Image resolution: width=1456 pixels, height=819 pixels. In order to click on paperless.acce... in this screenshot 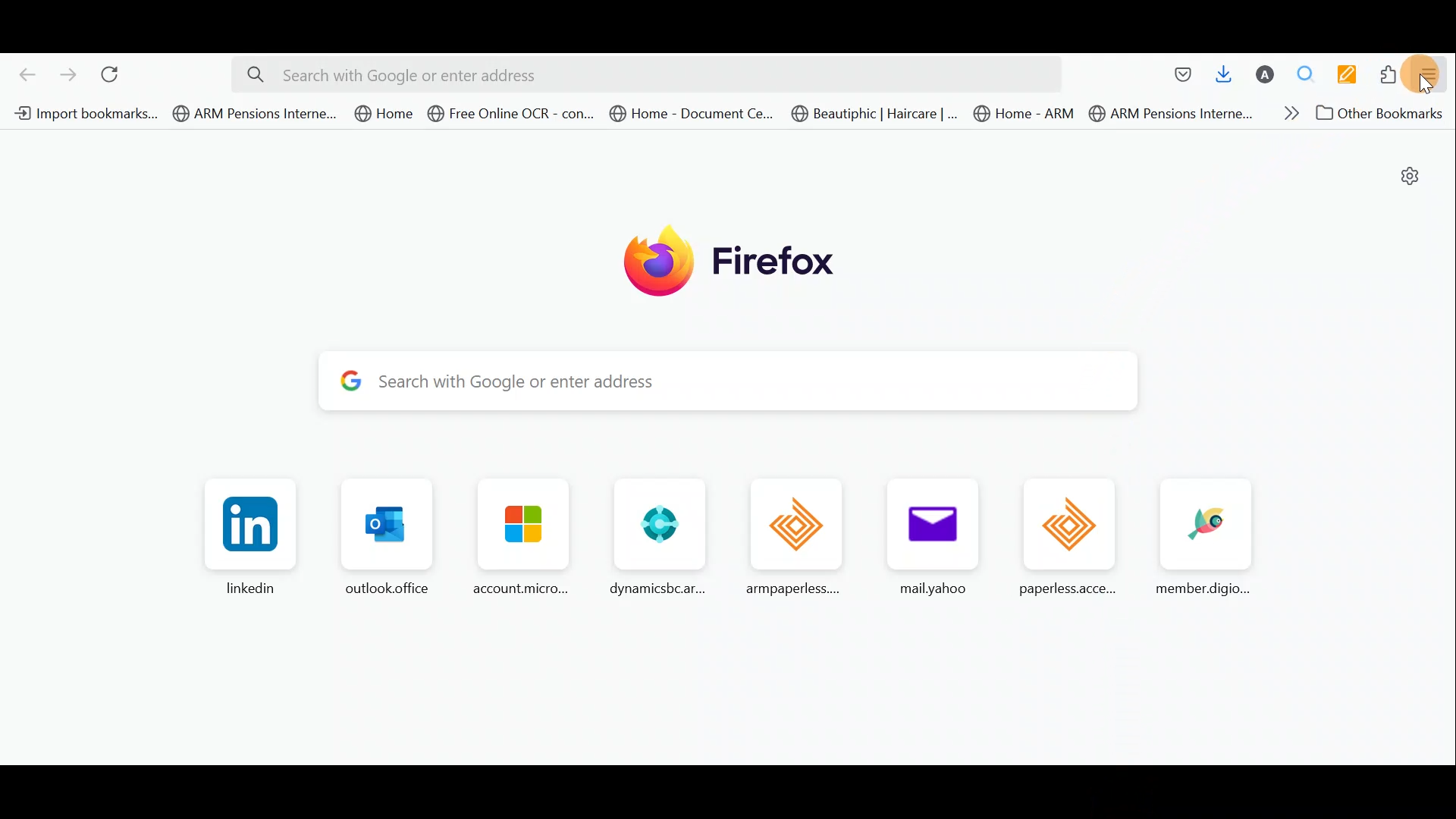, I will do `click(1066, 541)`.